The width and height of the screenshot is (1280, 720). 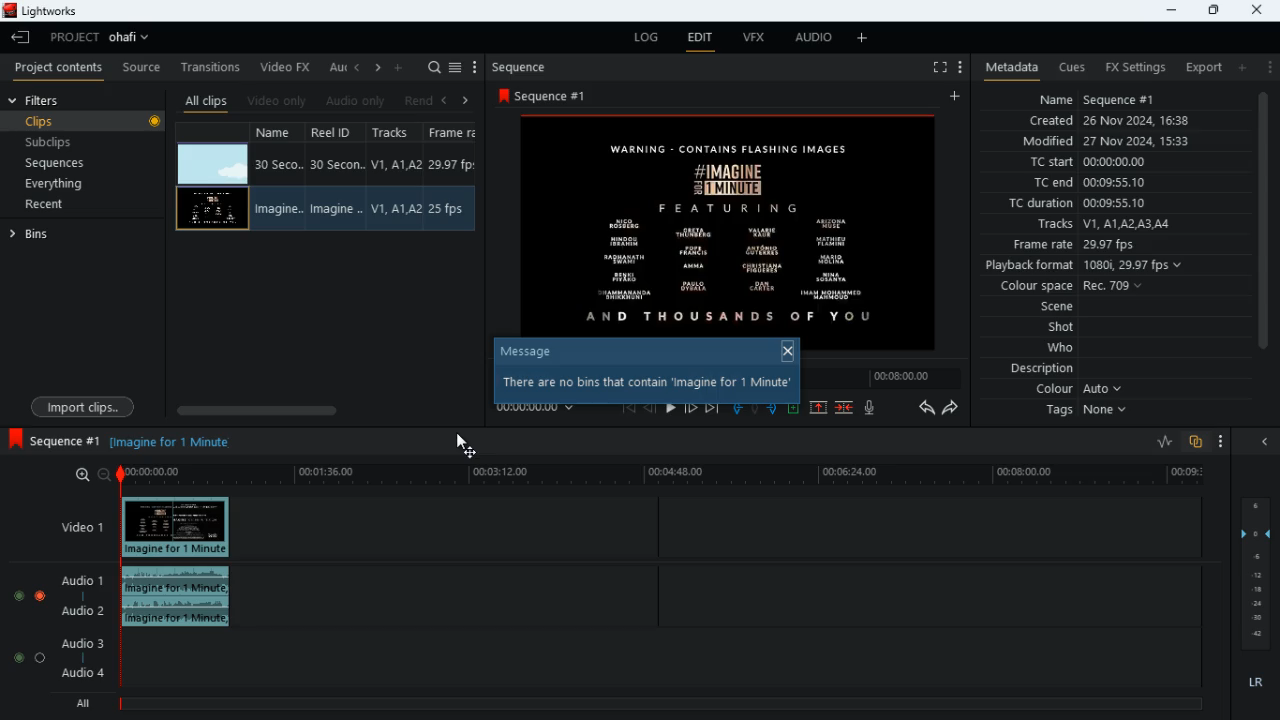 What do you see at coordinates (957, 97) in the screenshot?
I see `add` at bounding box center [957, 97].